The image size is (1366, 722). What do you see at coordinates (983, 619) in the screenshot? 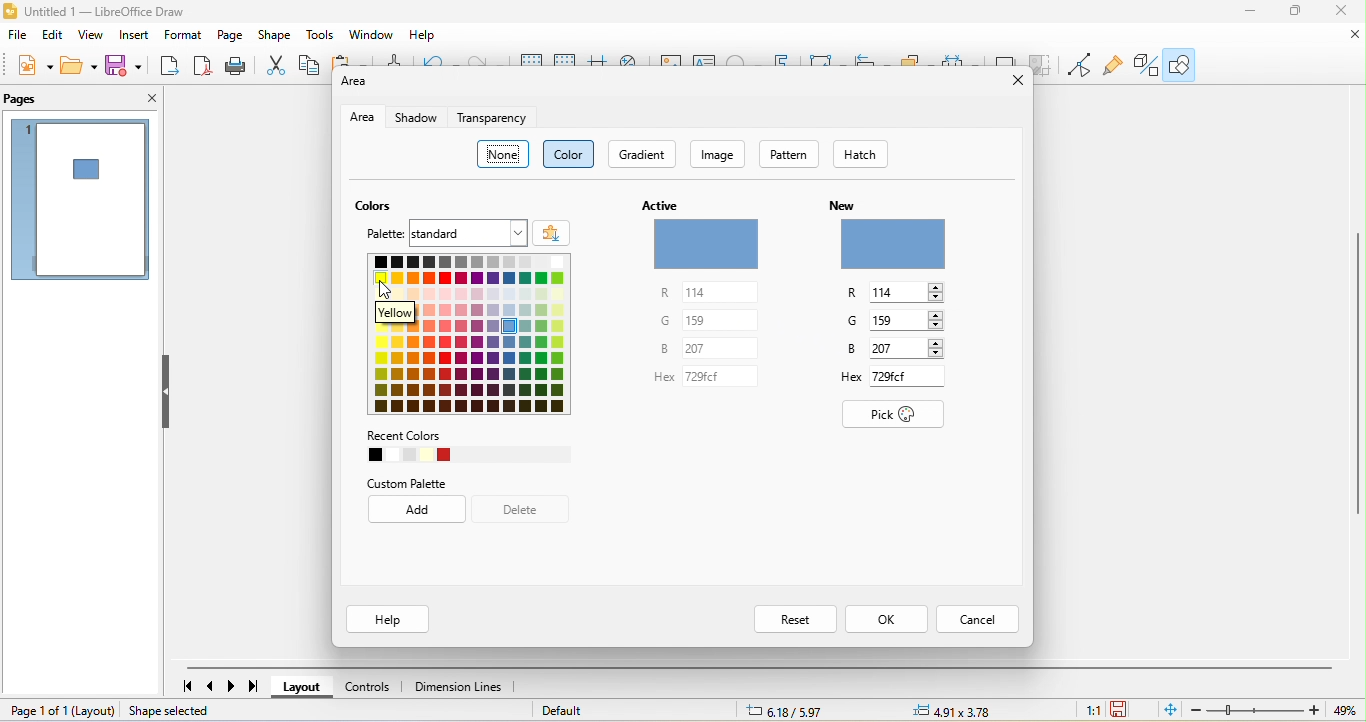
I see `cancel` at bounding box center [983, 619].